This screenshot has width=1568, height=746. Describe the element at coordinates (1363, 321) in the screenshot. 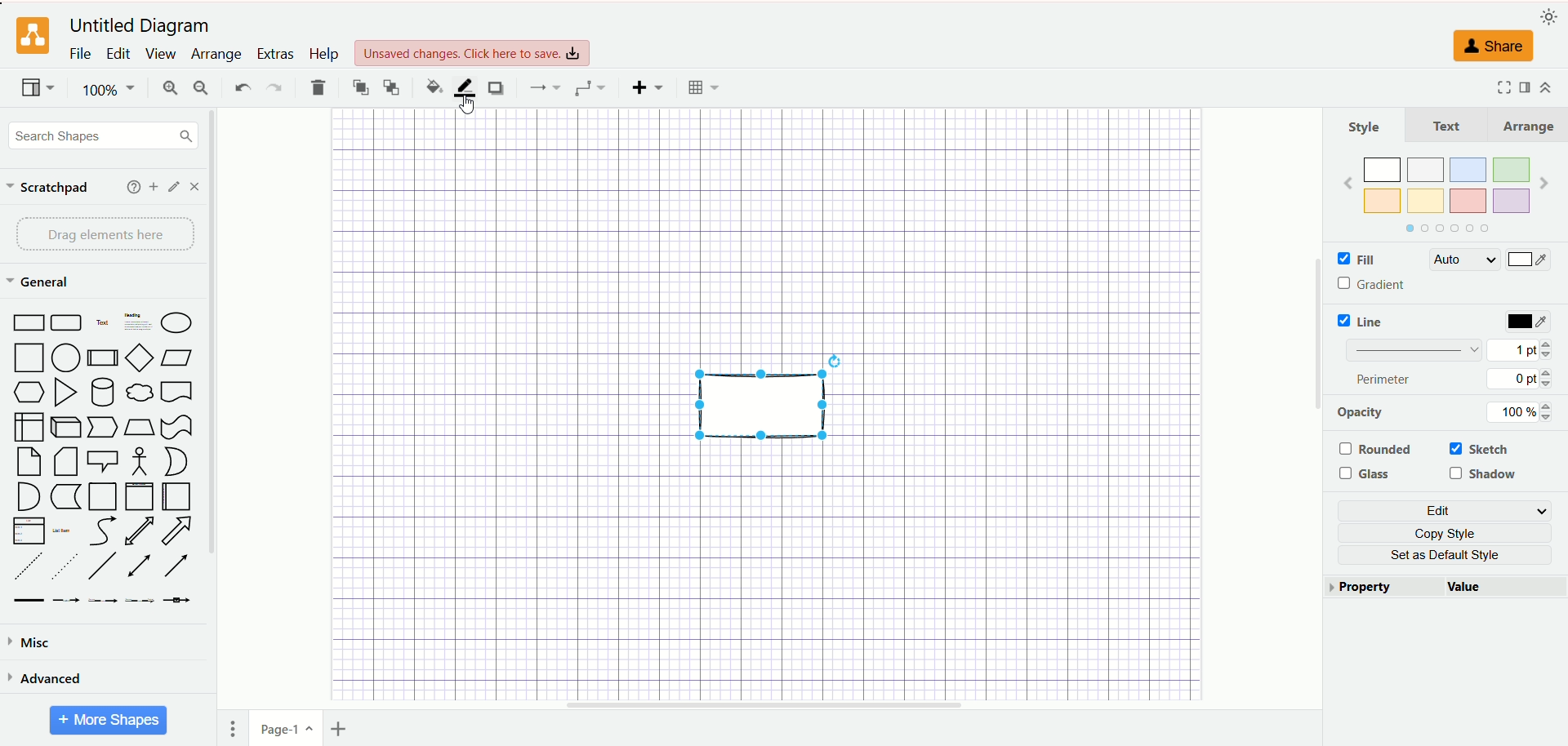

I see `line` at that location.